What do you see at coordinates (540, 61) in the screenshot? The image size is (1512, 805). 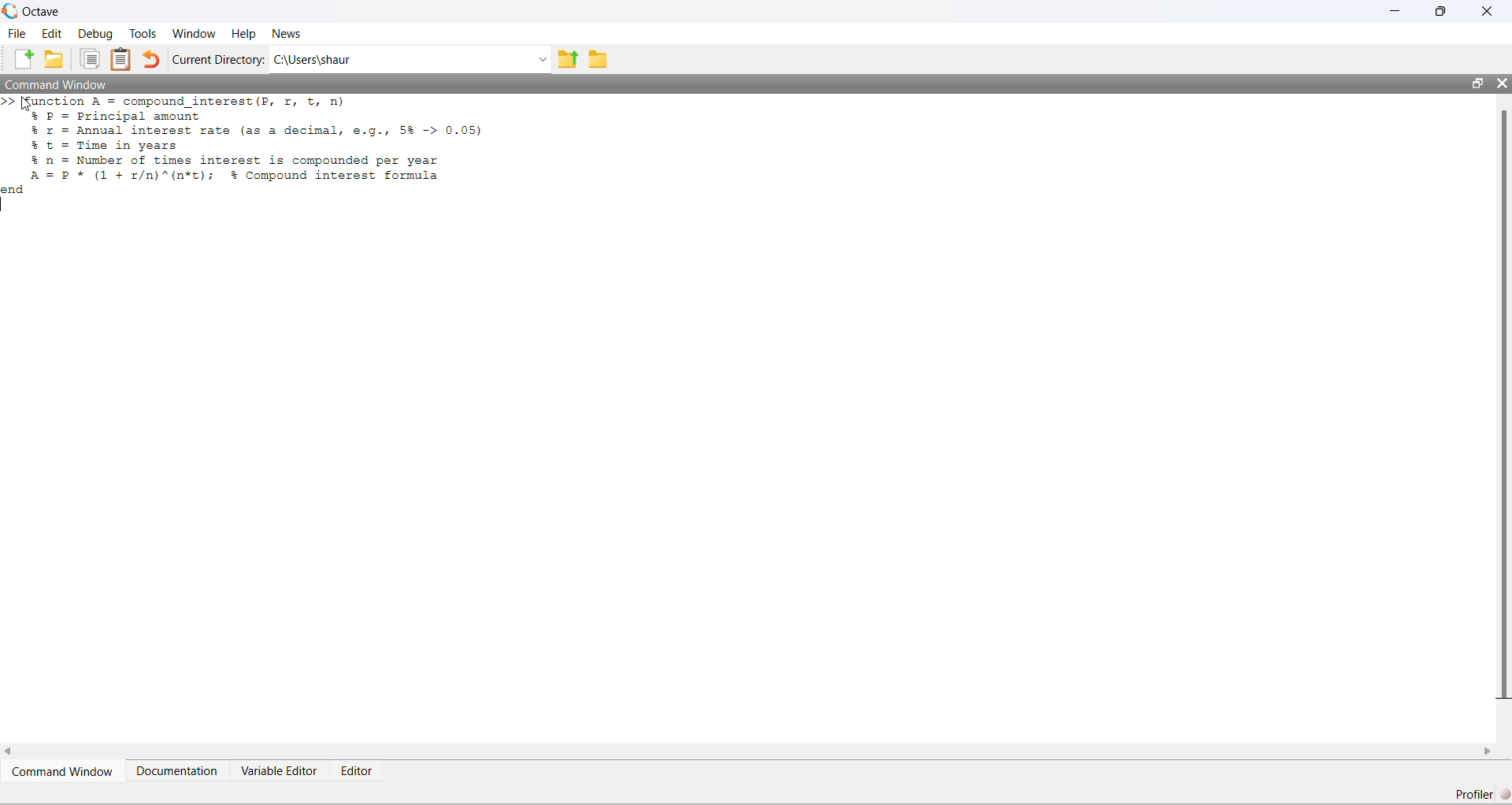 I see `Dropdown` at bounding box center [540, 61].